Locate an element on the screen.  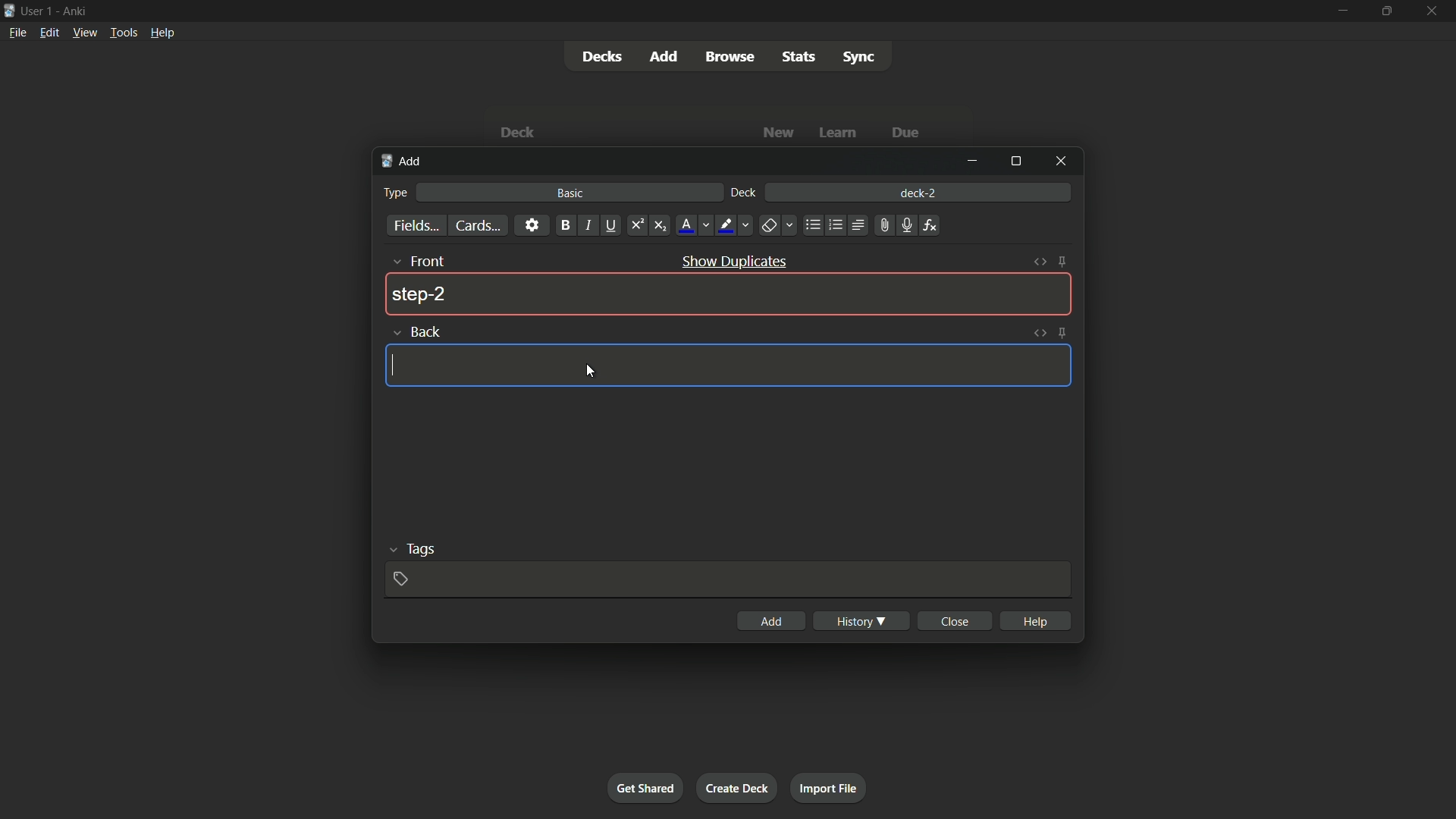
history is located at coordinates (861, 620).